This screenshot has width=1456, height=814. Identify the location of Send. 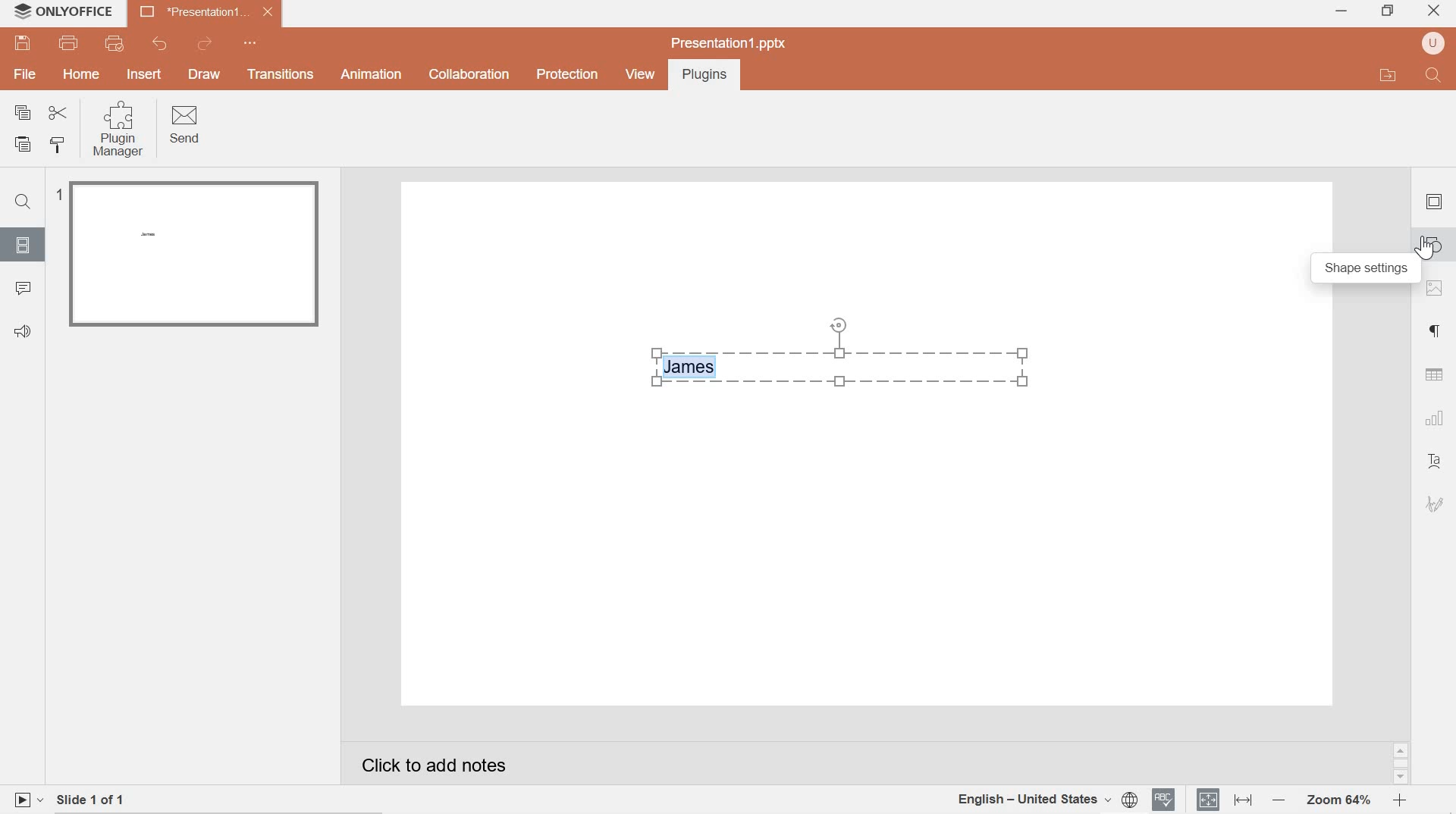
(187, 126).